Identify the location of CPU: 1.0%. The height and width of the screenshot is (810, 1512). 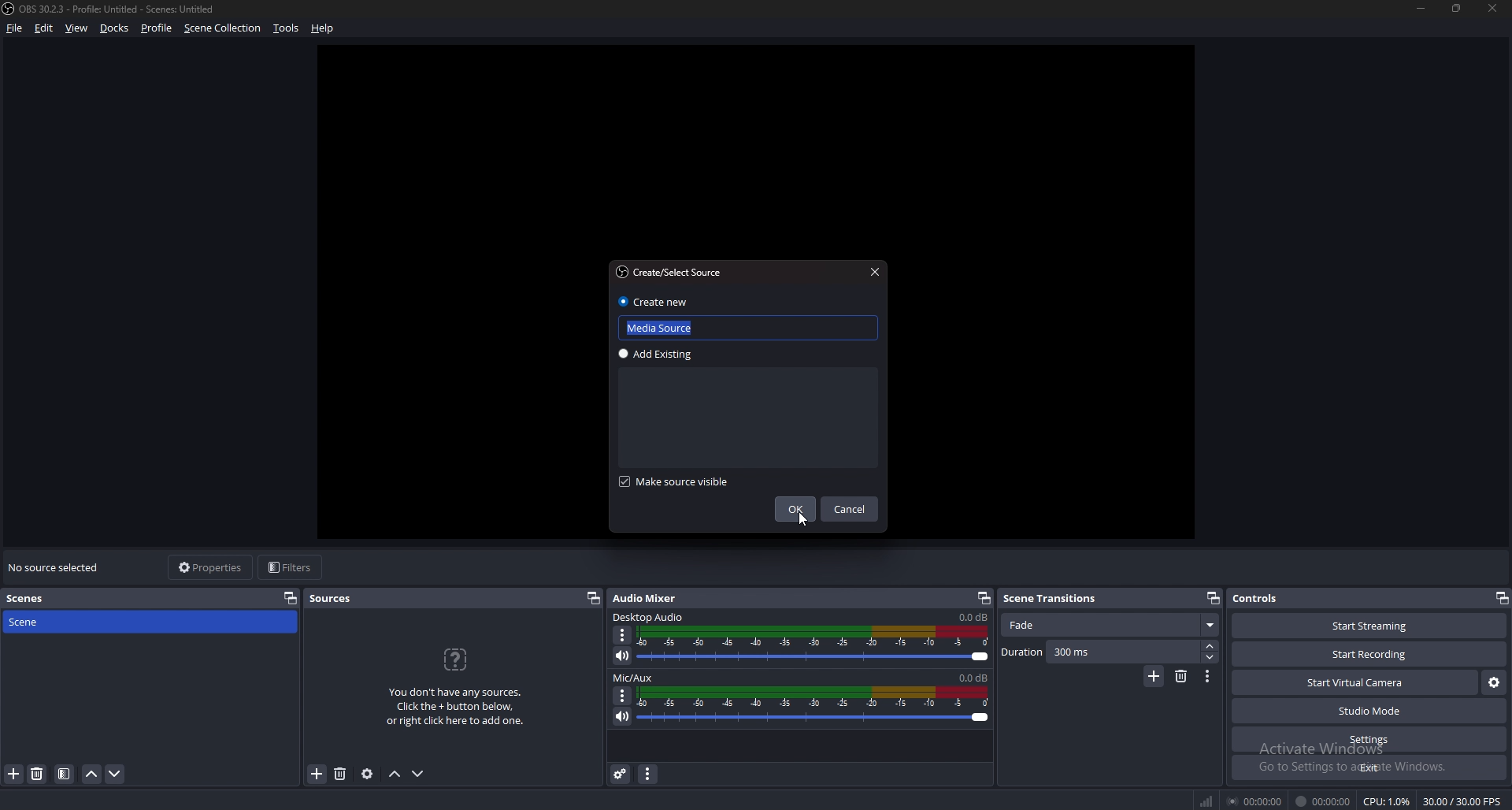
(1386, 801).